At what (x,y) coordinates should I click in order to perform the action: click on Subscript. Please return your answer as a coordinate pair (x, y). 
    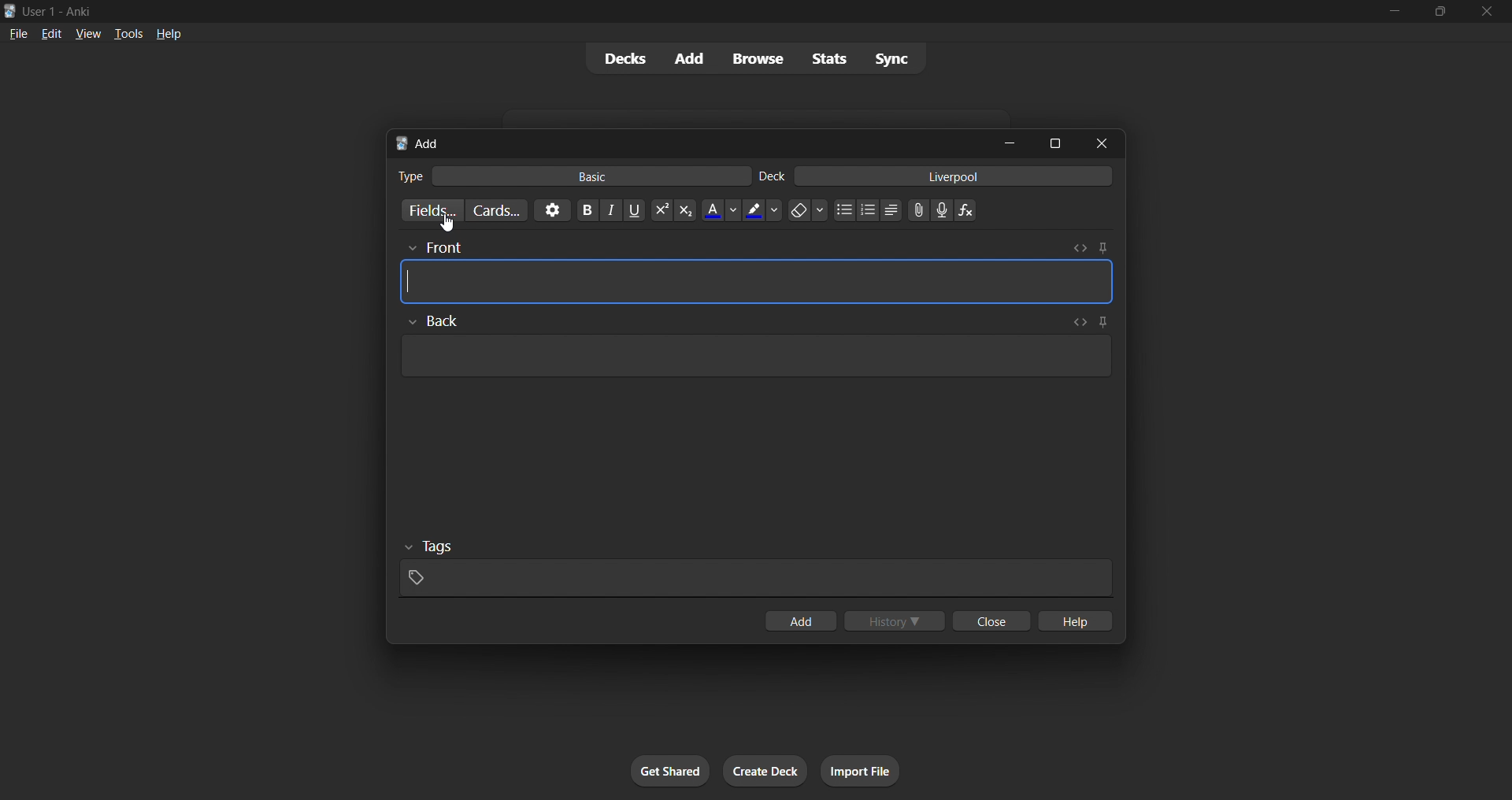
    Looking at the image, I should click on (686, 210).